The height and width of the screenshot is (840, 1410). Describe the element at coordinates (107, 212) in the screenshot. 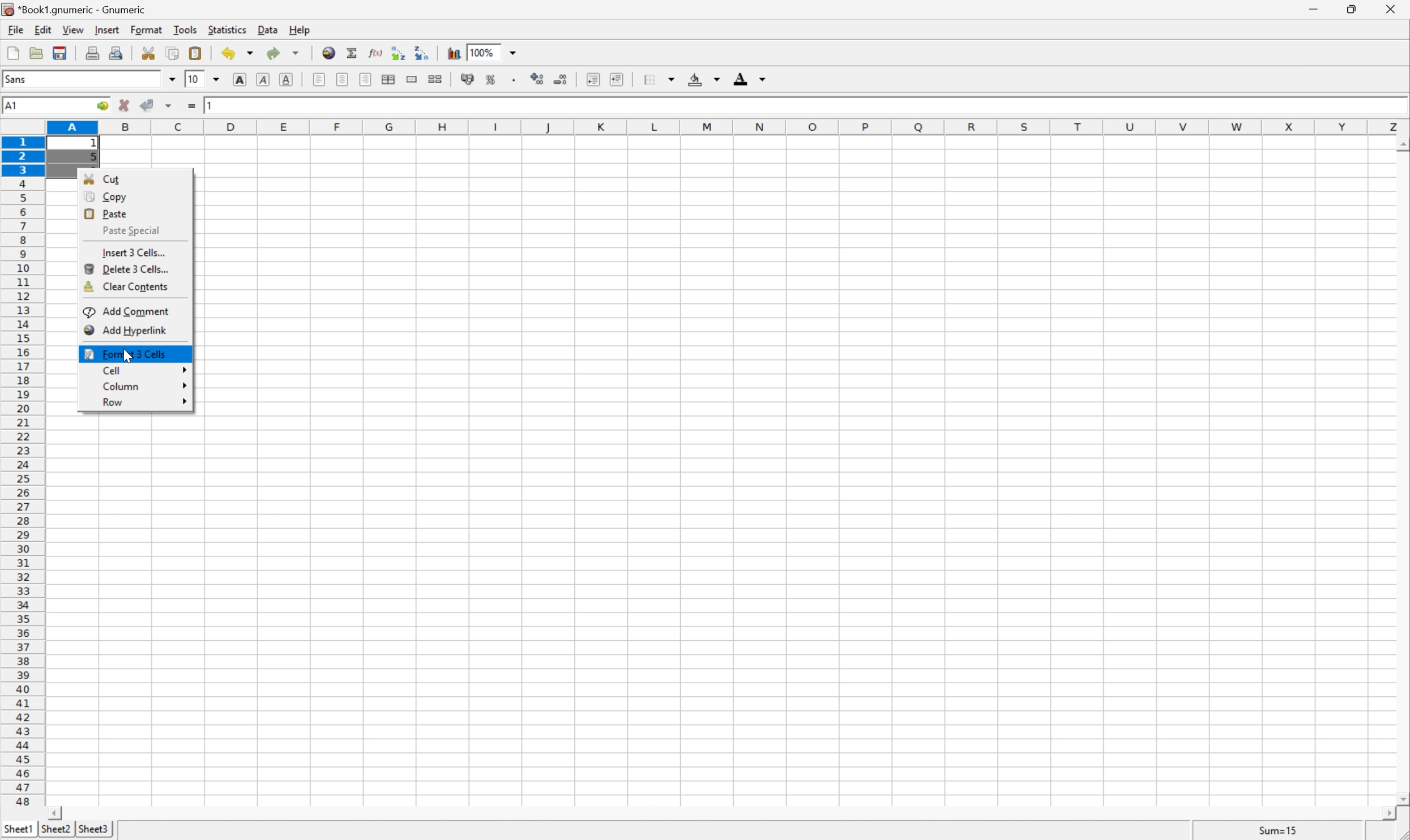

I see `paste` at that location.